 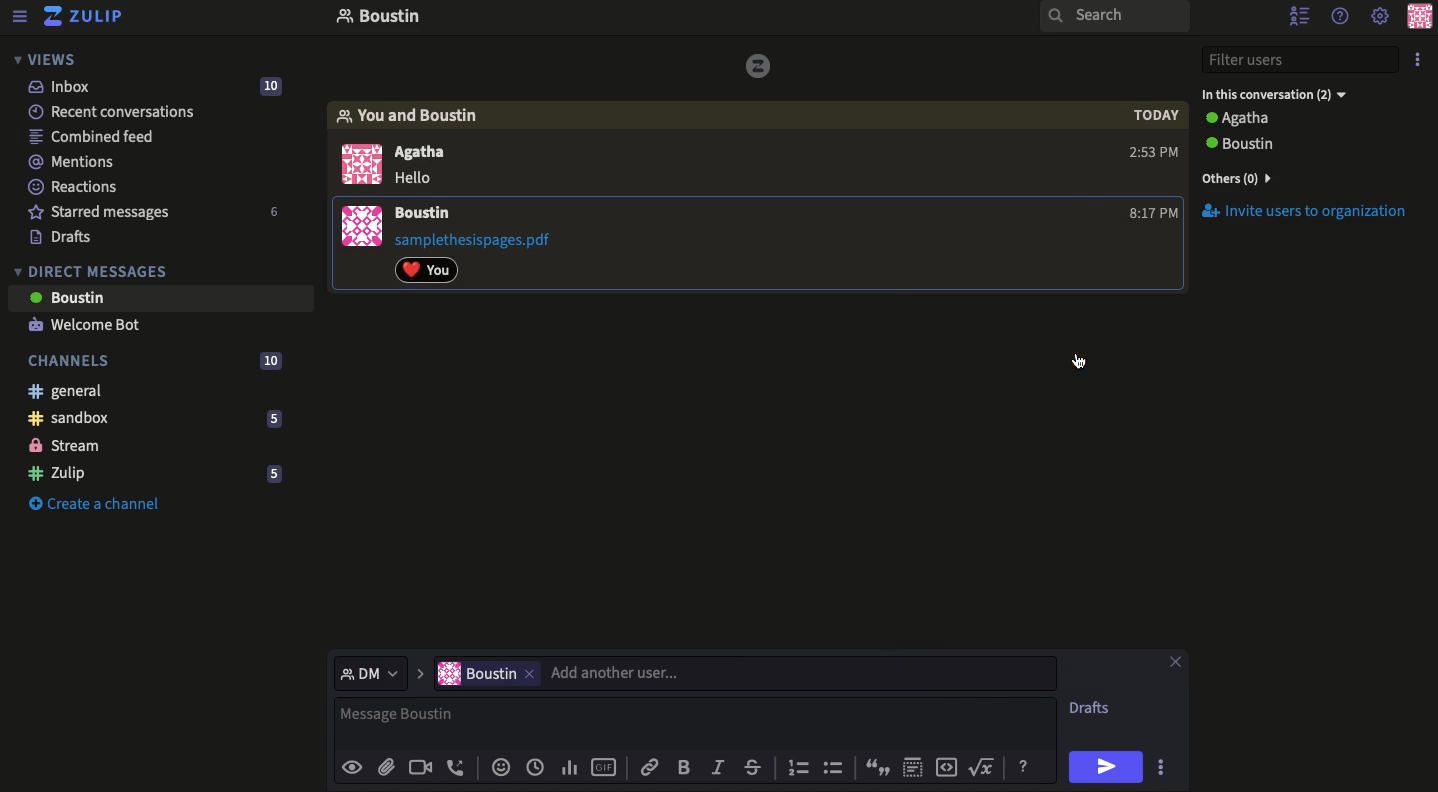 What do you see at coordinates (95, 139) in the screenshot?
I see `Combined feed` at bounding box center [95, 139].